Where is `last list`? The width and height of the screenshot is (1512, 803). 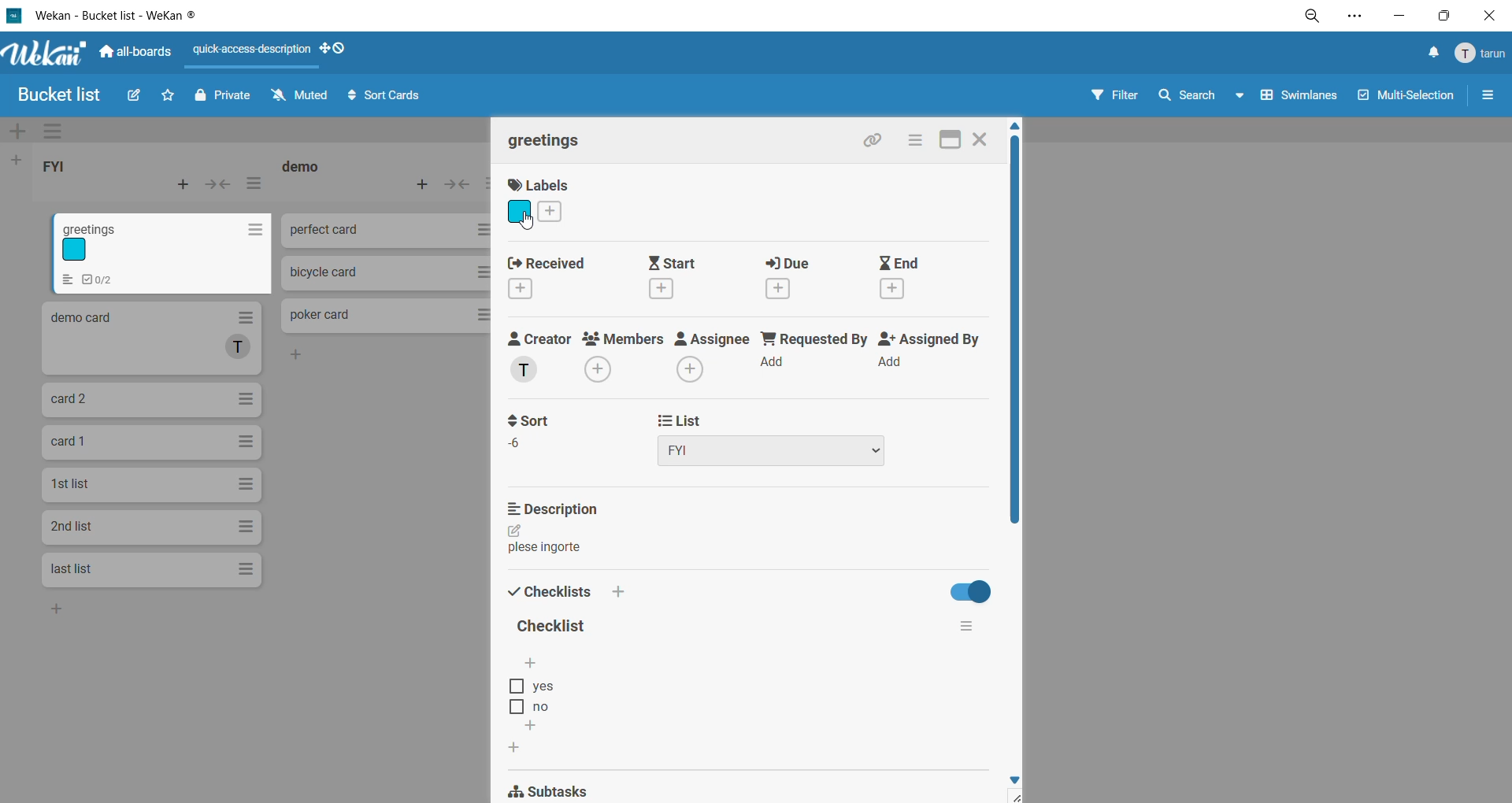 last list is located at coordinates (152, 571).